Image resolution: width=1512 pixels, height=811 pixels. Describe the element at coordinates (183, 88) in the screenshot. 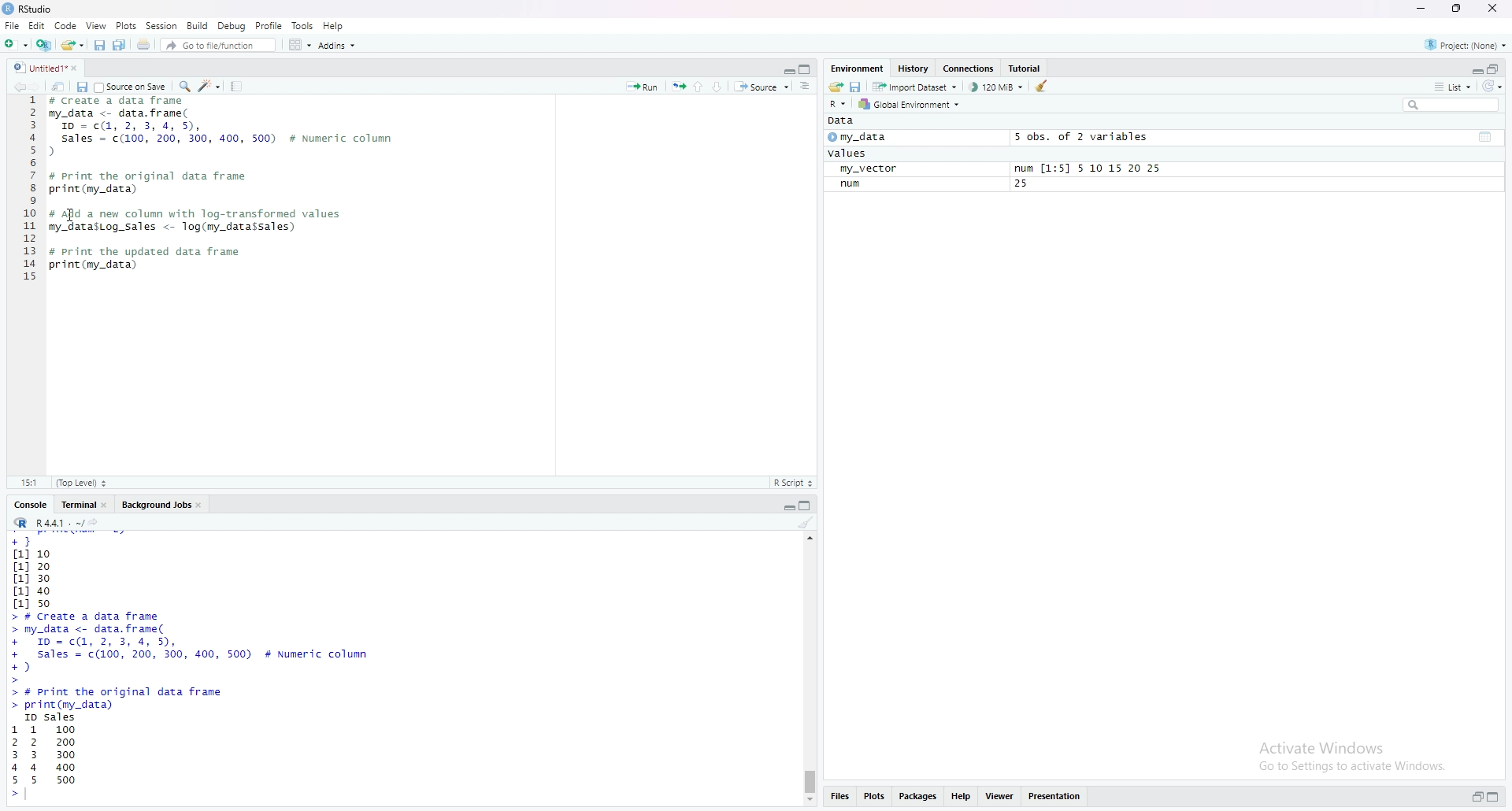

I see `find/replace` at that location.